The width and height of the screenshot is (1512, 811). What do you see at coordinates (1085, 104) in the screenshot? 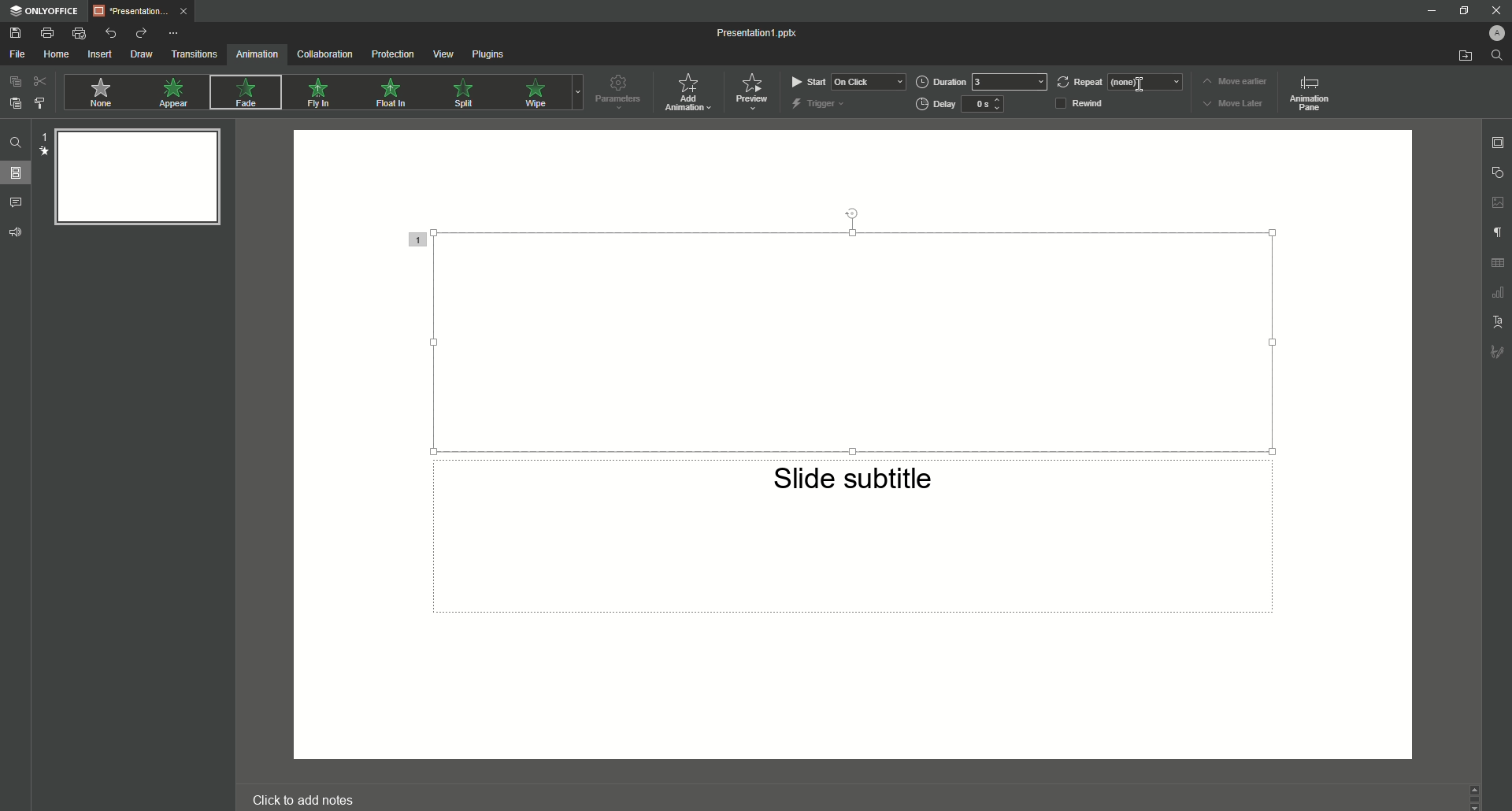
I see `Rewind` at bounding box center [1085, 104].